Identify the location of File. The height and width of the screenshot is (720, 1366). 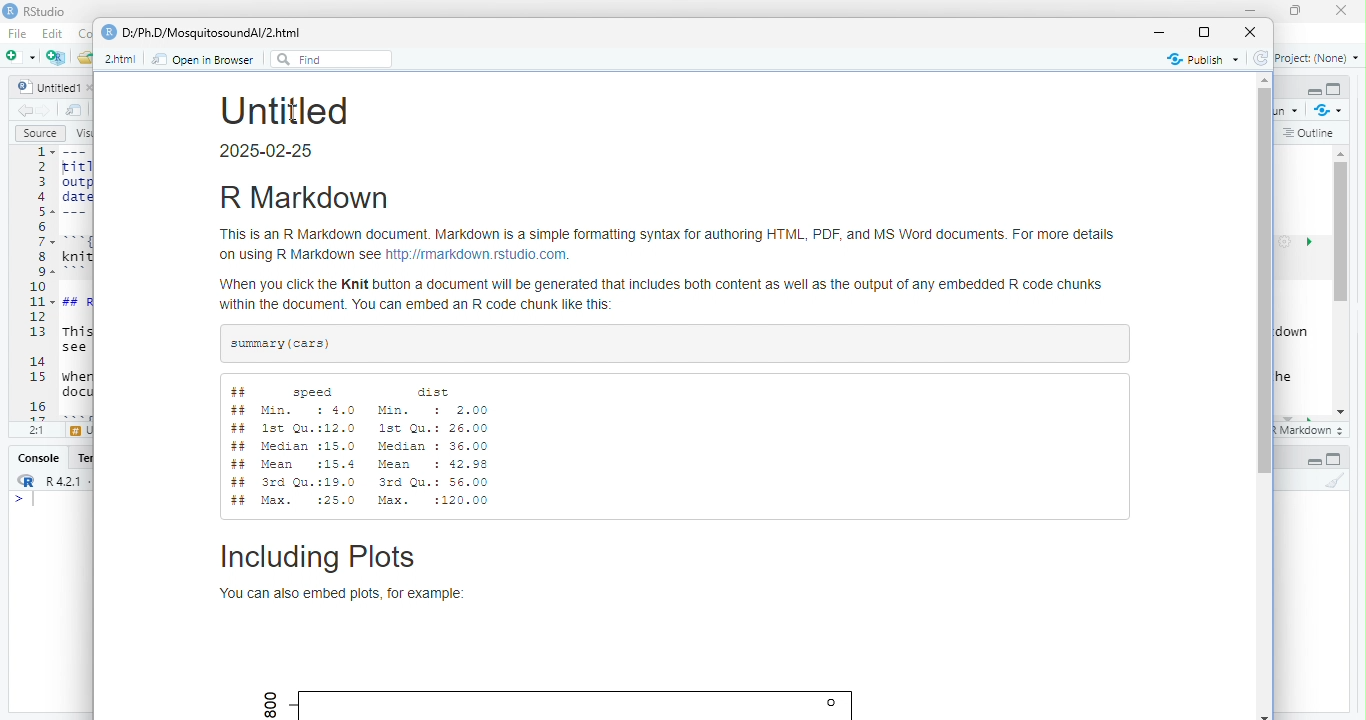
(20, 34).